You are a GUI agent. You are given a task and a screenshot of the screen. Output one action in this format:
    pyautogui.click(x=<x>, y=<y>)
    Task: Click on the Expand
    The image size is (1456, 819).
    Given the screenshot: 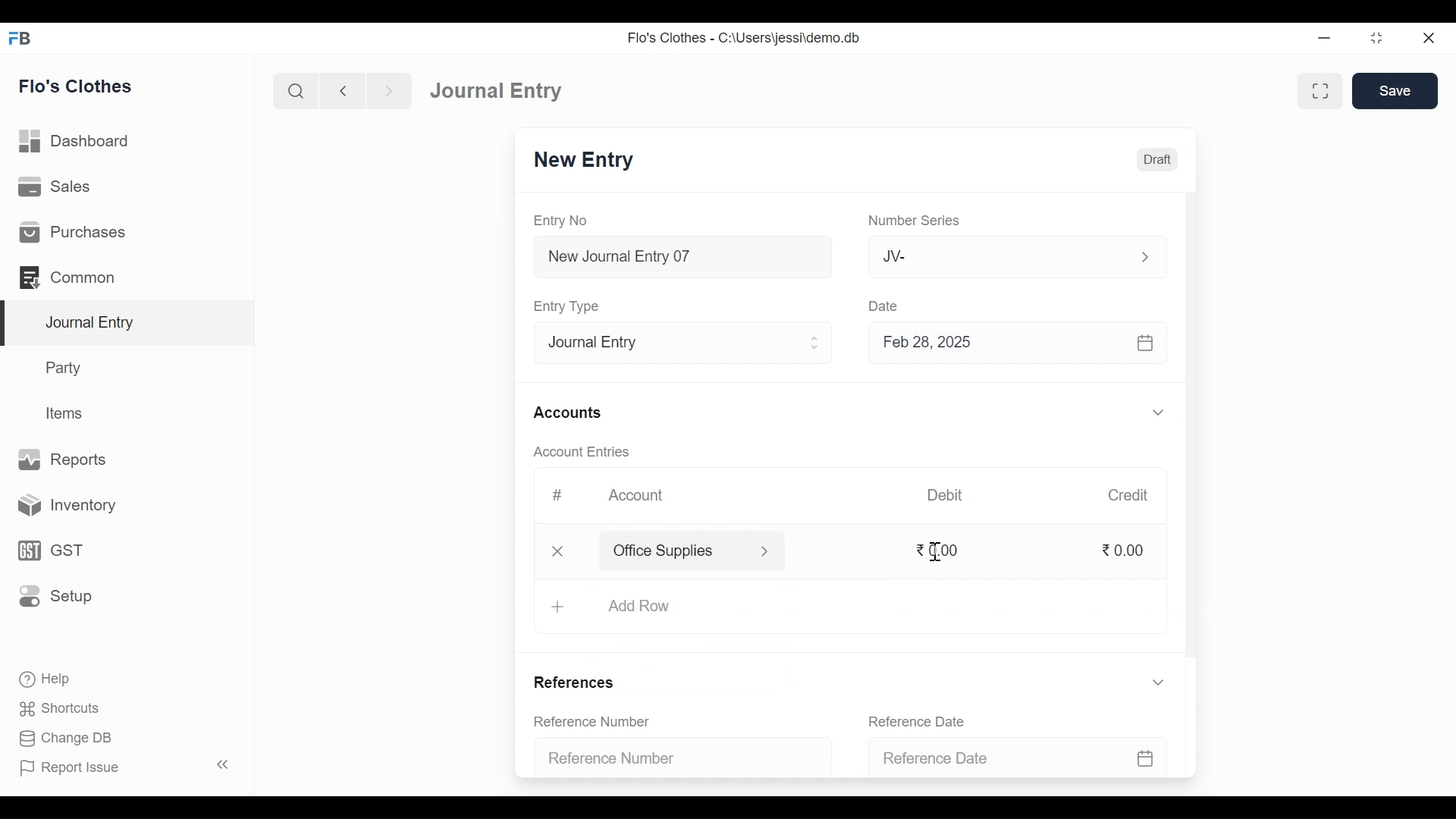 What is the action you would take?
    pyautogui.click(x=765, y=552)
    